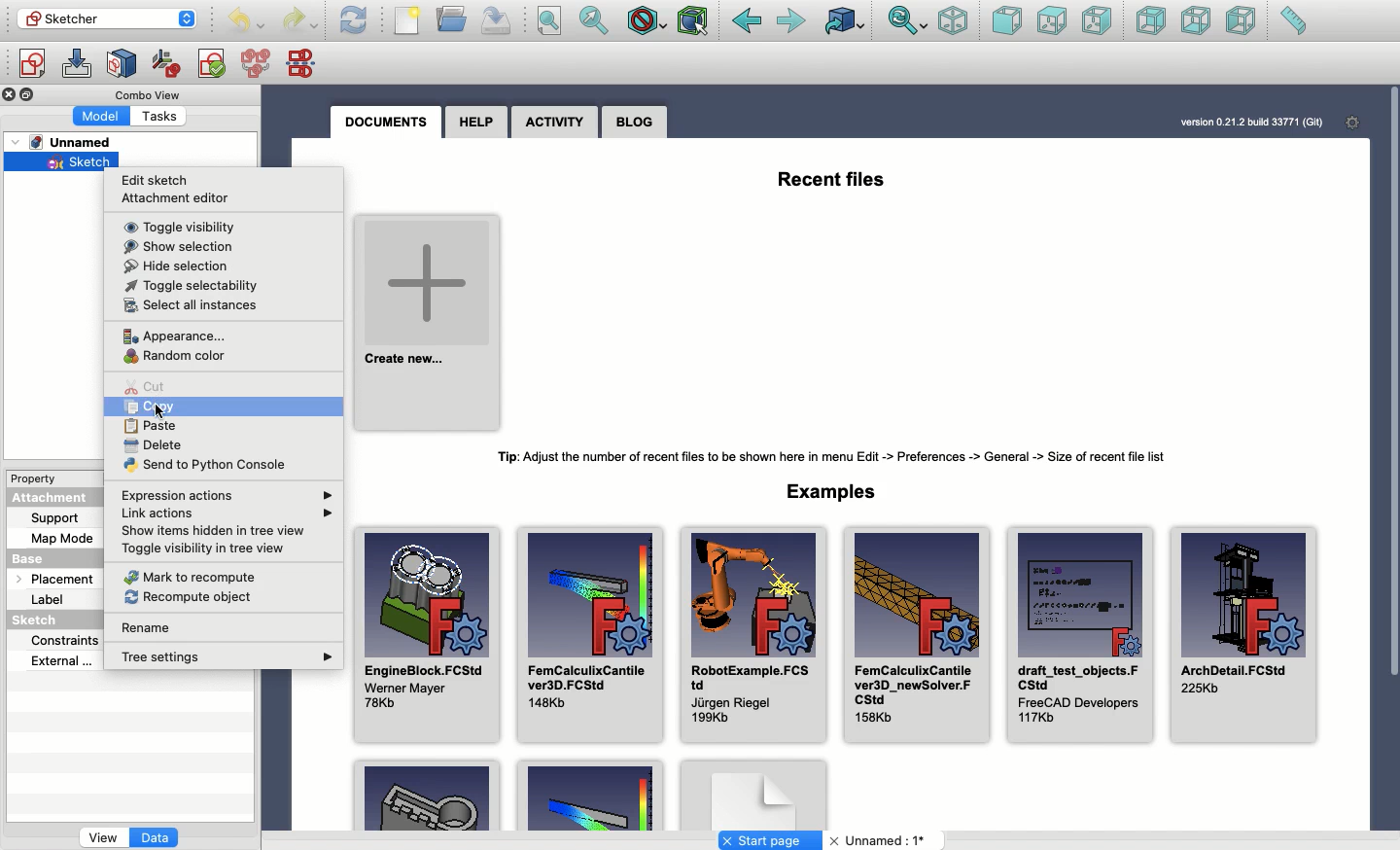 This screenshot has height=850, width=1400. I want to click on Redo, so click(299, 22).